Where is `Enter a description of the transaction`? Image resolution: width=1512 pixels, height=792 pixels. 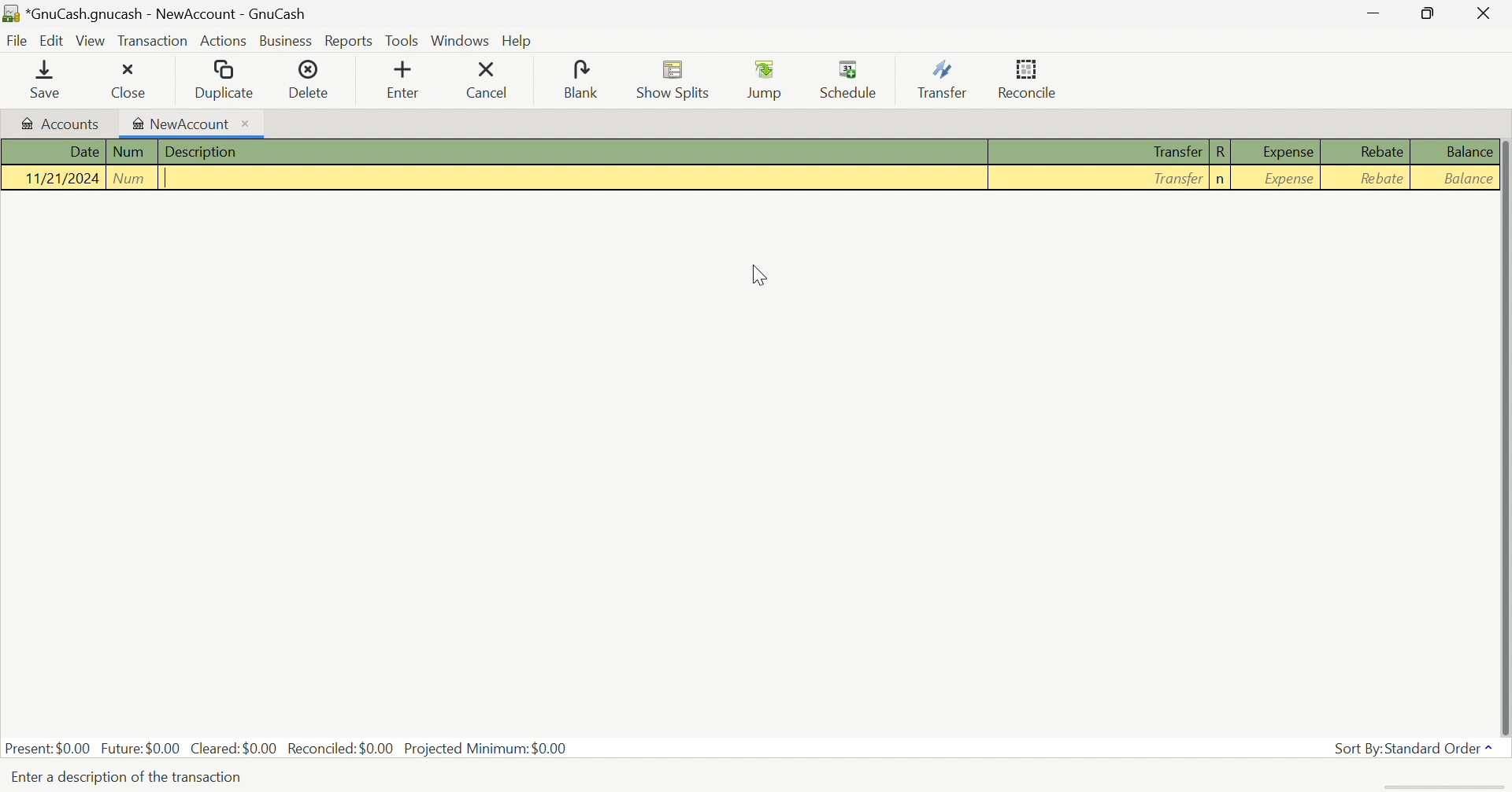 Enter a description of the transaction is located at coordinates (126, 777).